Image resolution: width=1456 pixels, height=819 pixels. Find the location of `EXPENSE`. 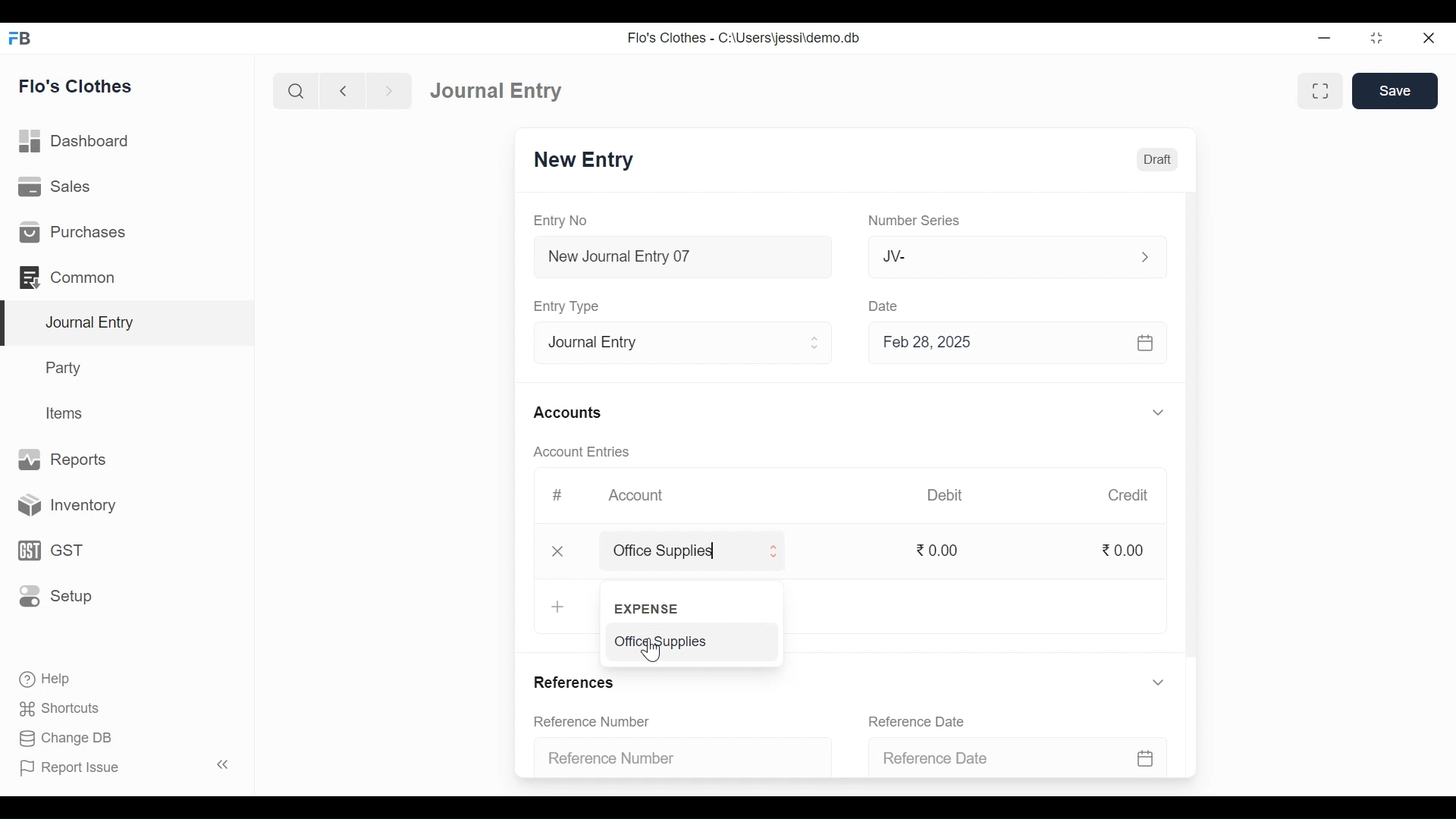

EXPENSE is located at coordinates (651, 610).